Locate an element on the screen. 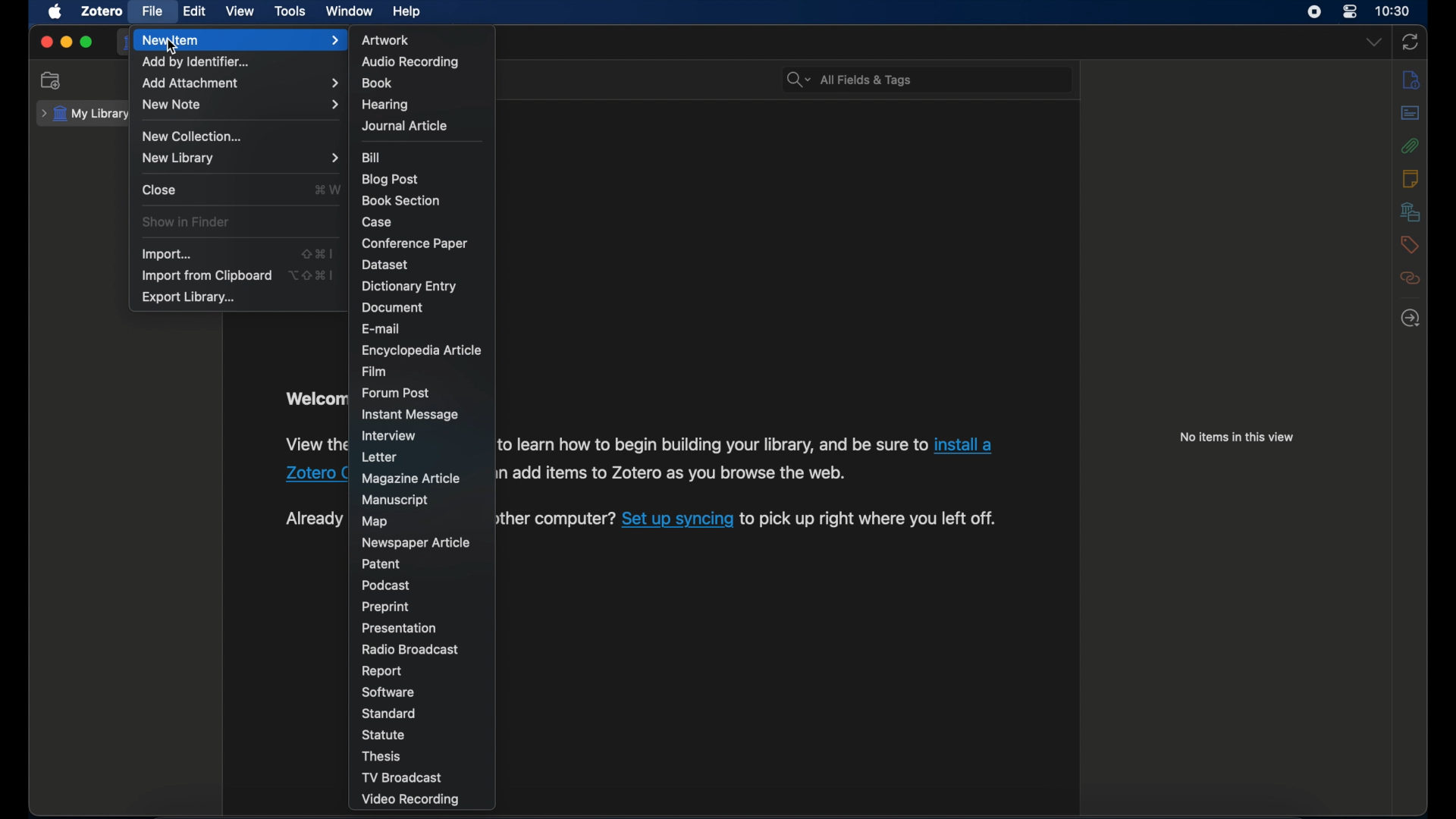 This screenshot has width=1456, height=819. film is located at coordinates (375, 371).